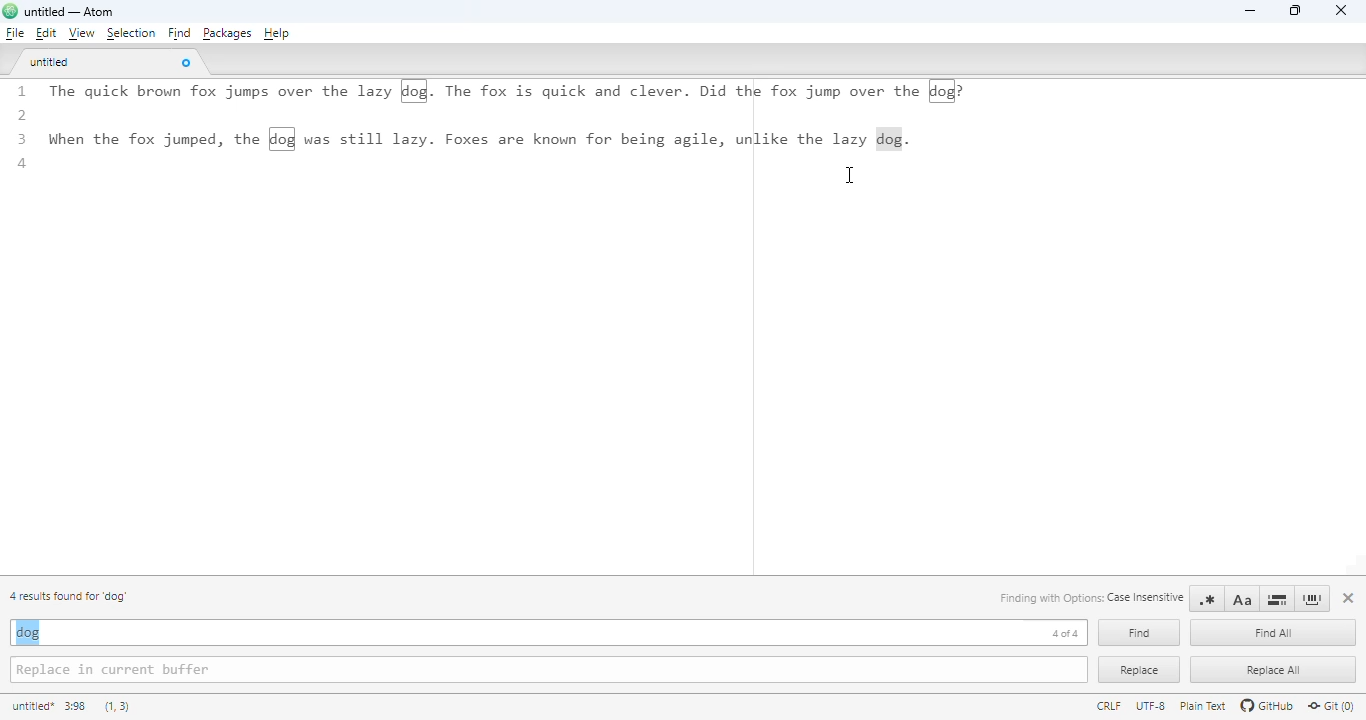  What do you see at coordinates (135, 138) in the screenshot?
I see `3 When the fox jumped, the` at bounding box center [135, 138].